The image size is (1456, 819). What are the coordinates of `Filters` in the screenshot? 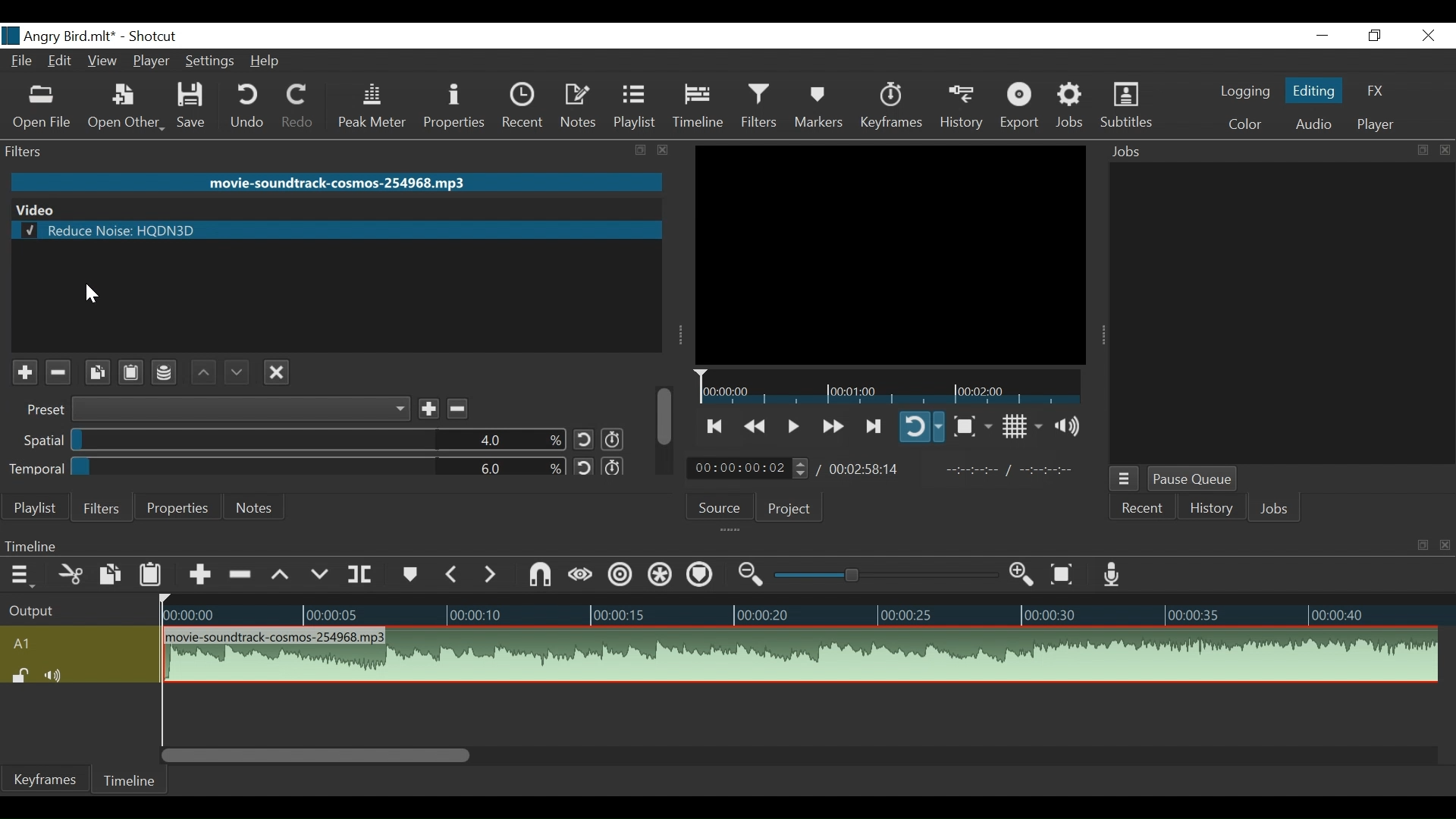 It's located at (99, 509).